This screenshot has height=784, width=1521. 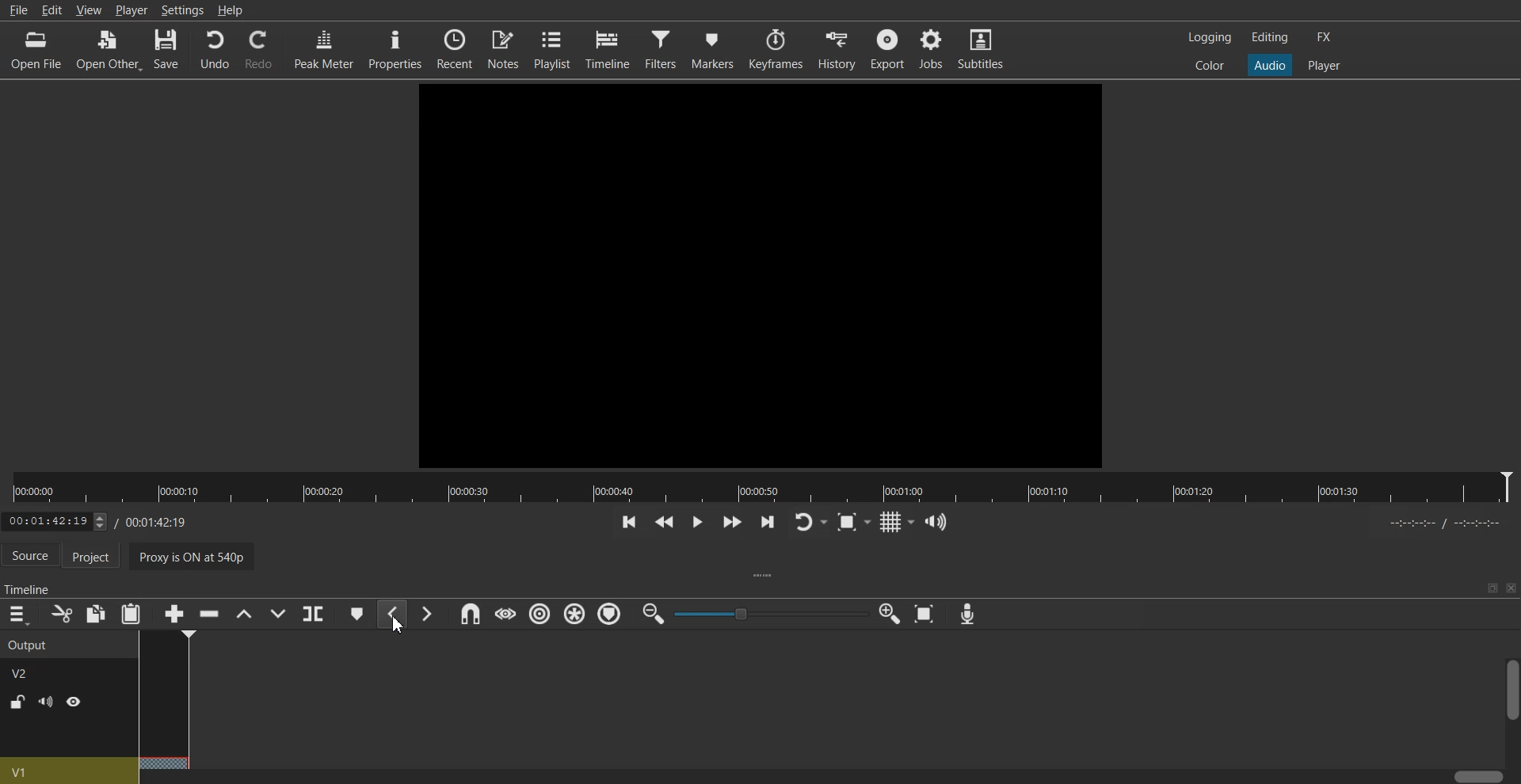 What do you see at coordinates (93, 519) in the screenshot?
I see `Adjust Time Selector` at bounding box center [93, 519].